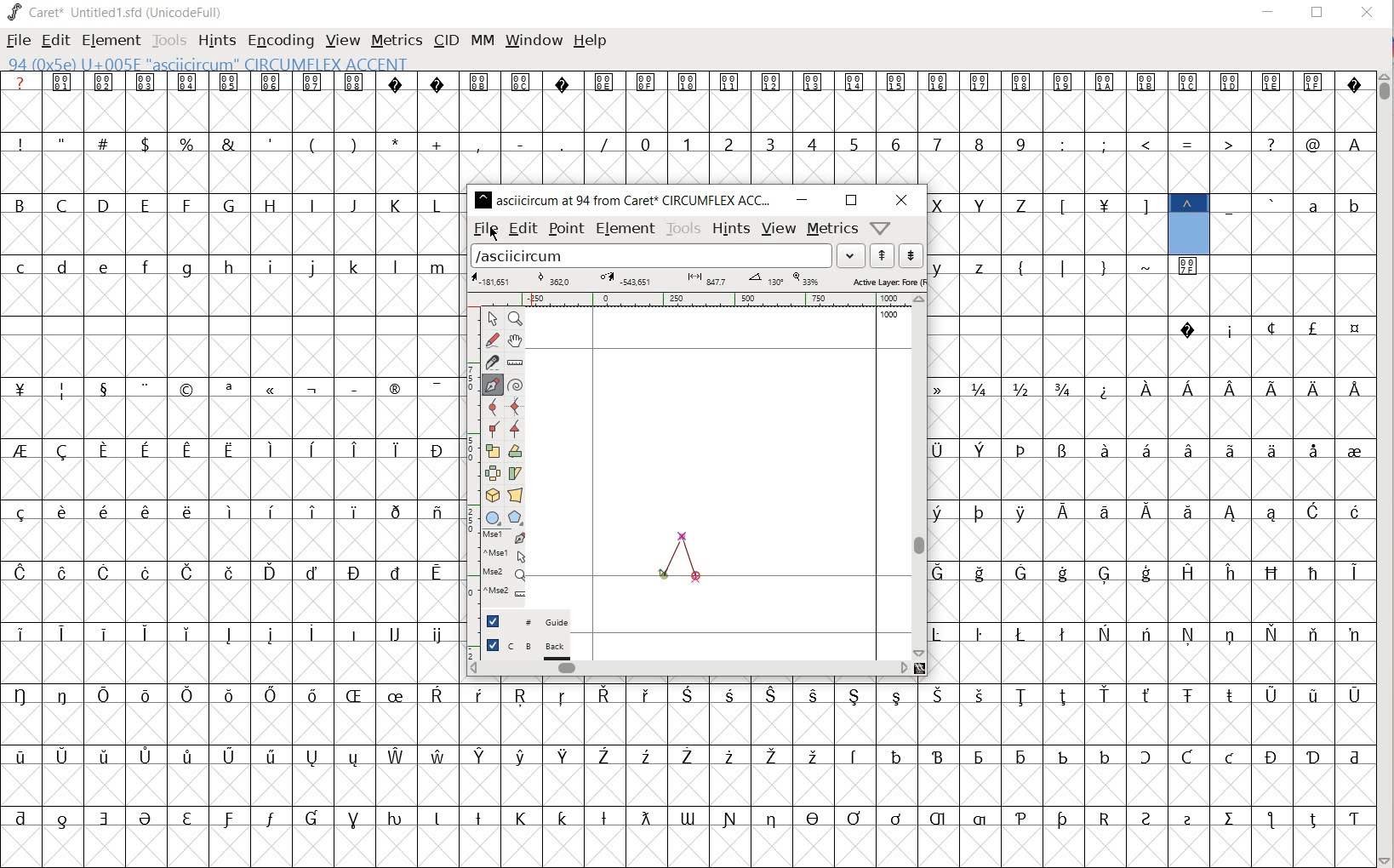 Image resolution: width=1394 pixels, height=868 pixels. Describe the element at coordinates (490, 363) in the screenshot. I see `cut splines in two` at that location.